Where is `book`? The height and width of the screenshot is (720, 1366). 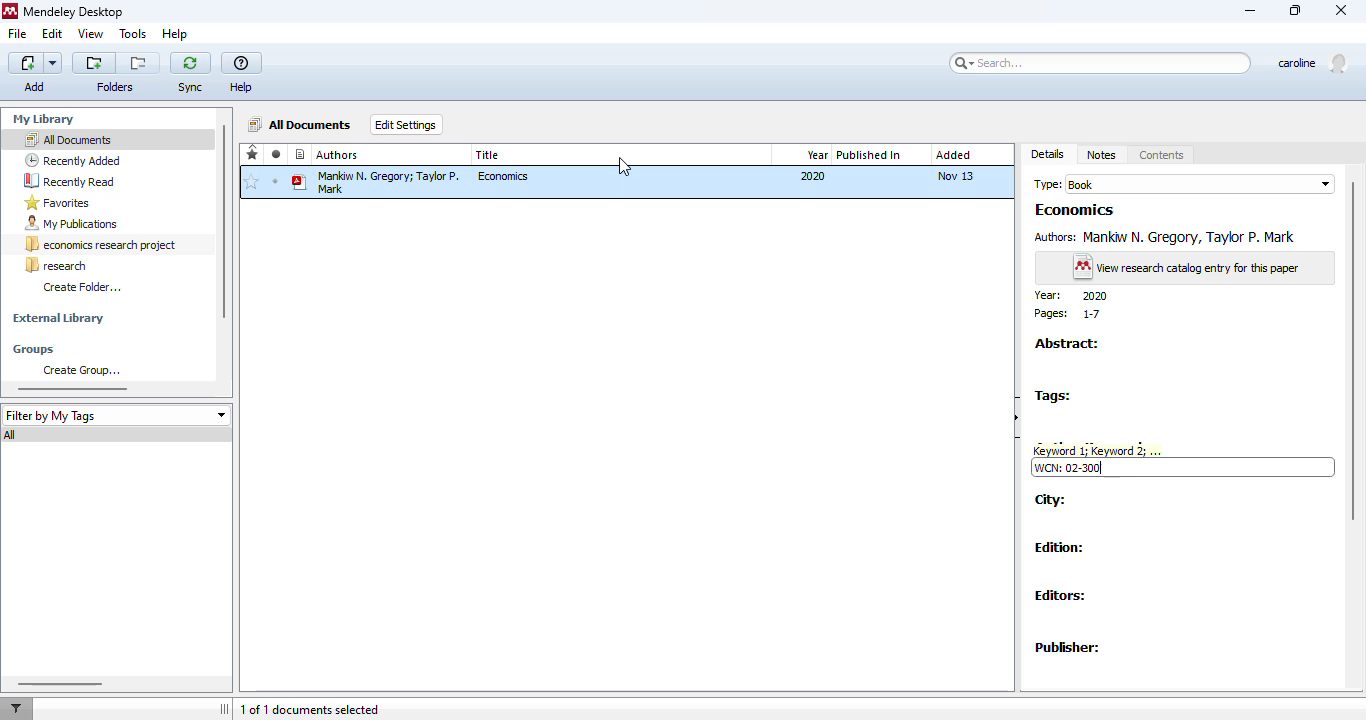
book is located at coordinates (1200, 184).